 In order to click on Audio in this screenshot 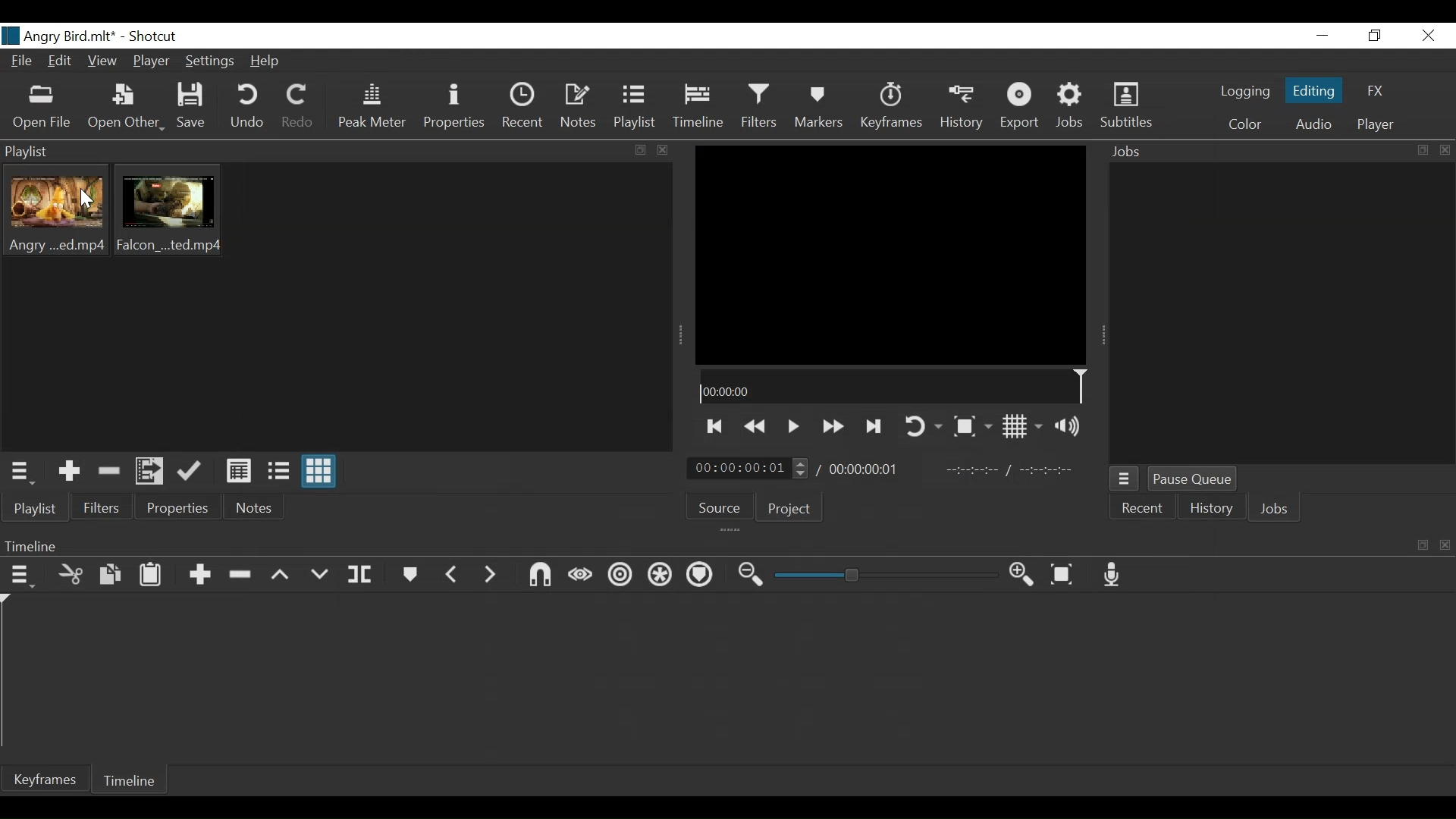, I will do `click(1312, 124)`.